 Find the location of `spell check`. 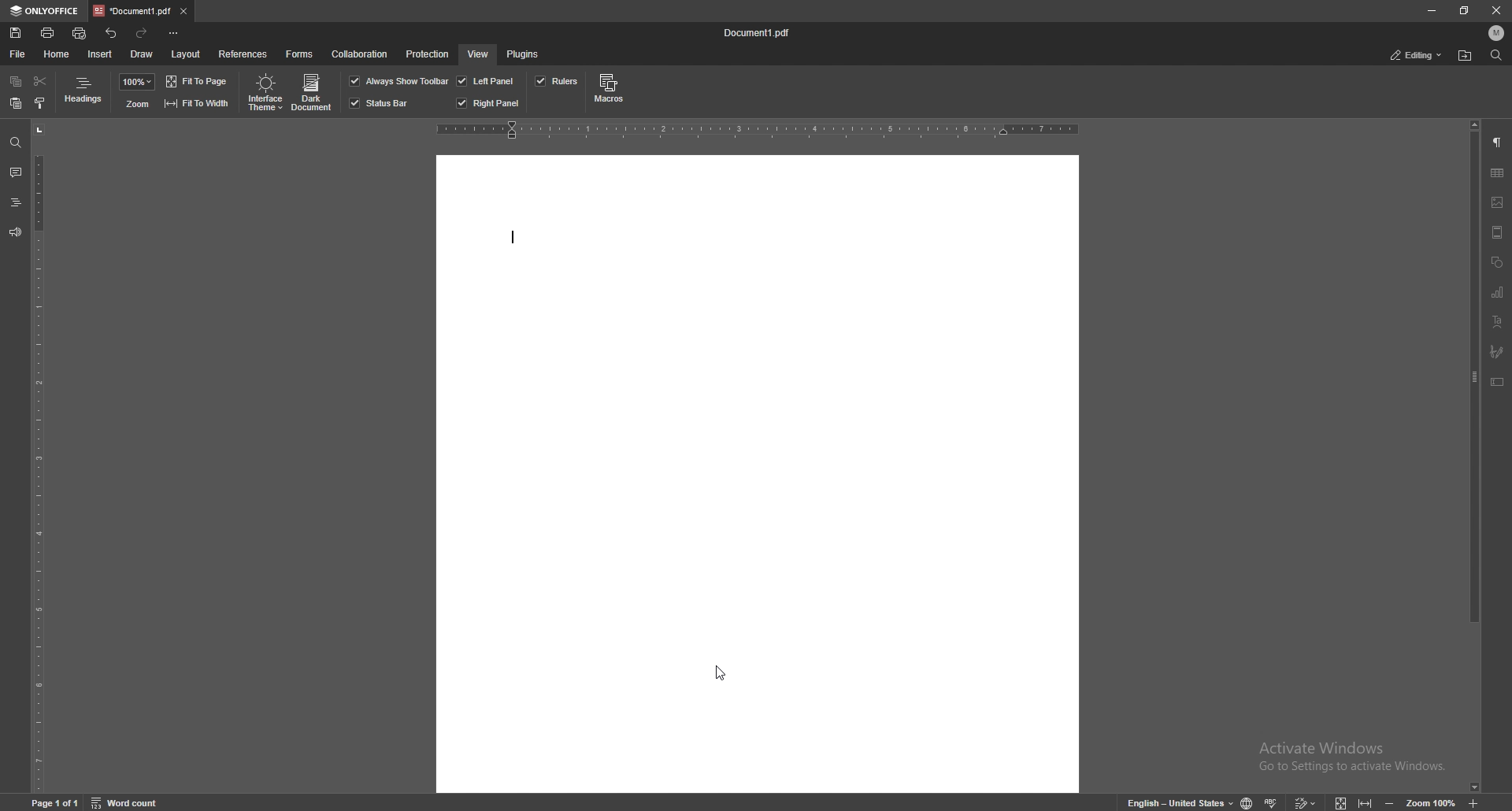

spell check is located at coordinates (1274, 800).